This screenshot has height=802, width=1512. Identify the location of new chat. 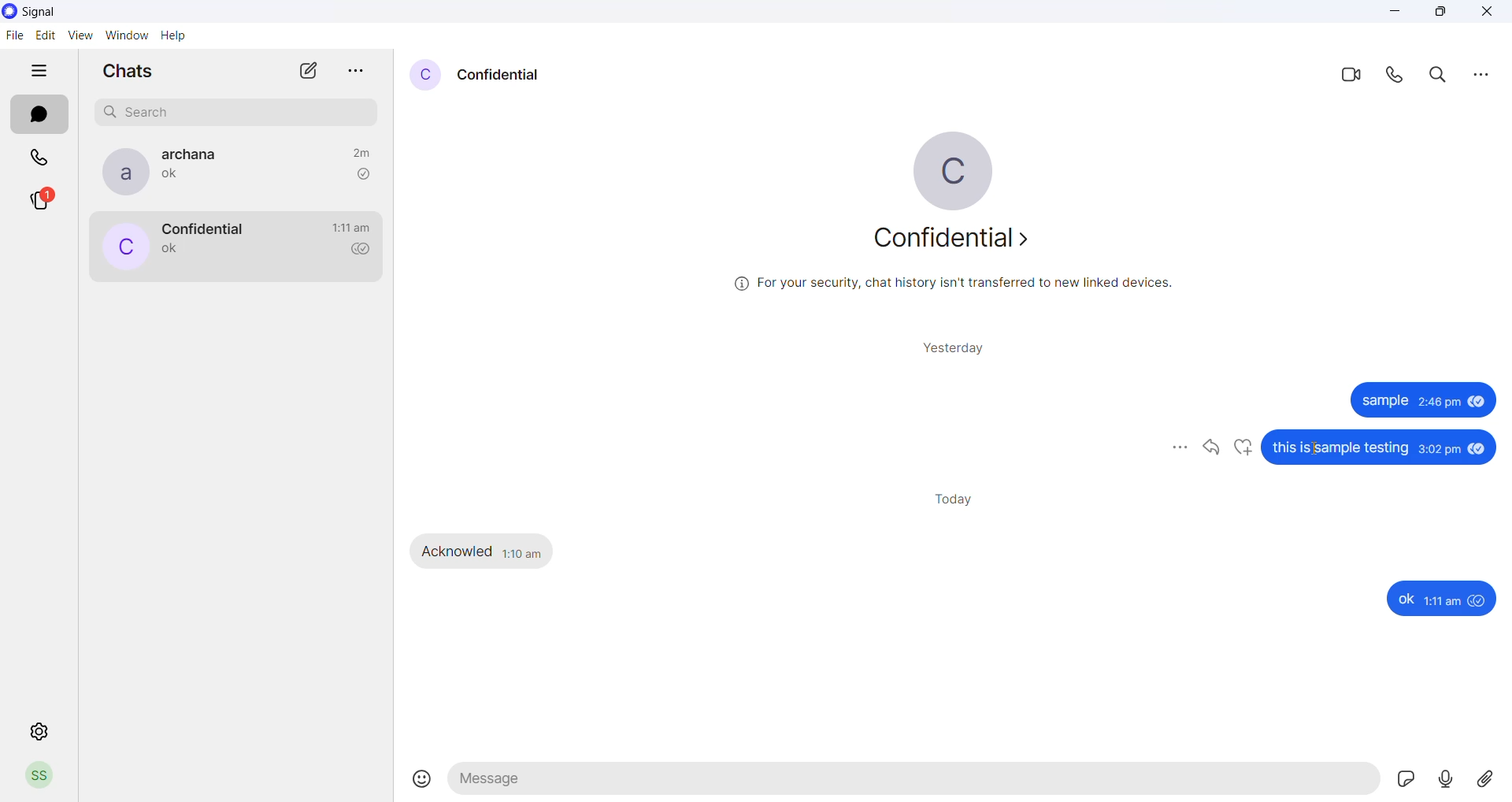
(309, 75).